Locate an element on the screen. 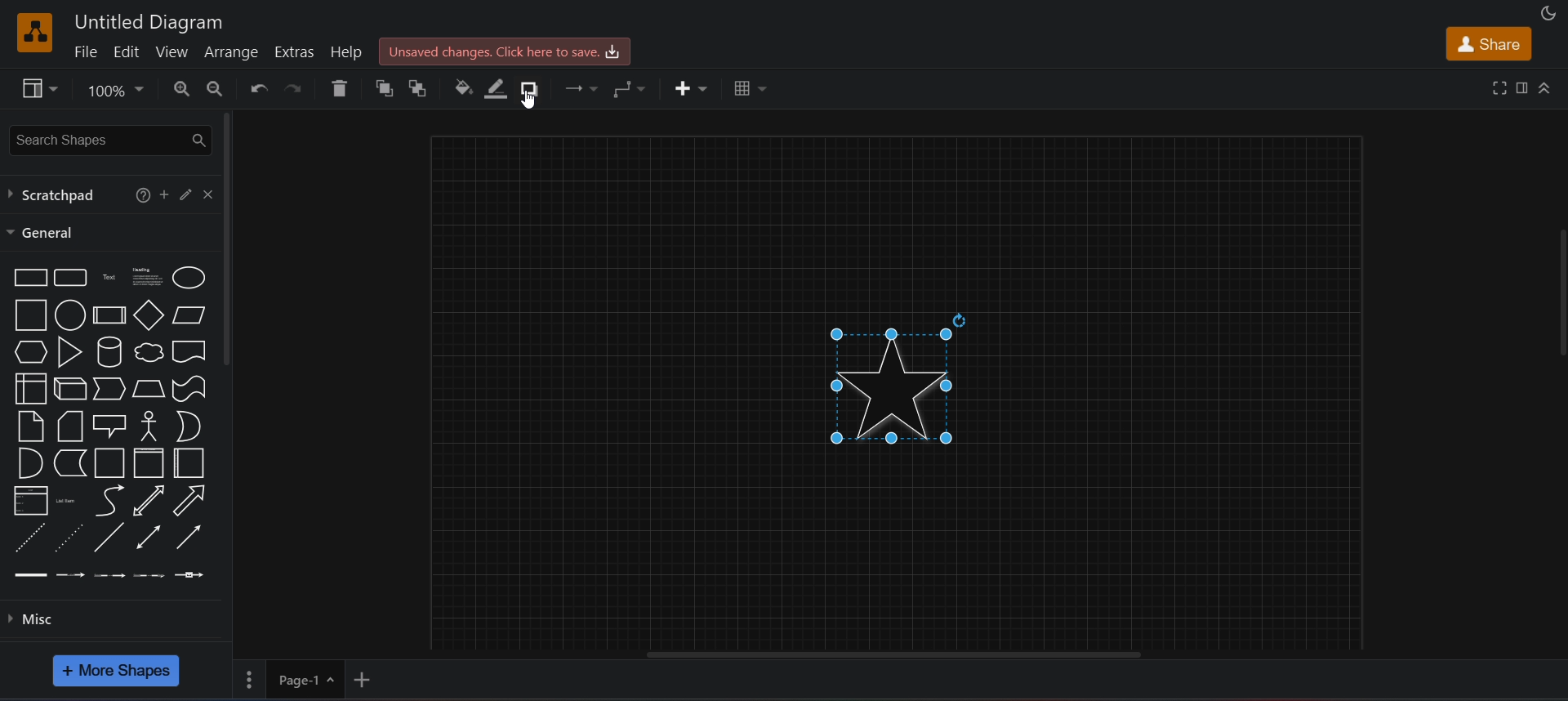  more shapes is located at coordinates (118, 671).